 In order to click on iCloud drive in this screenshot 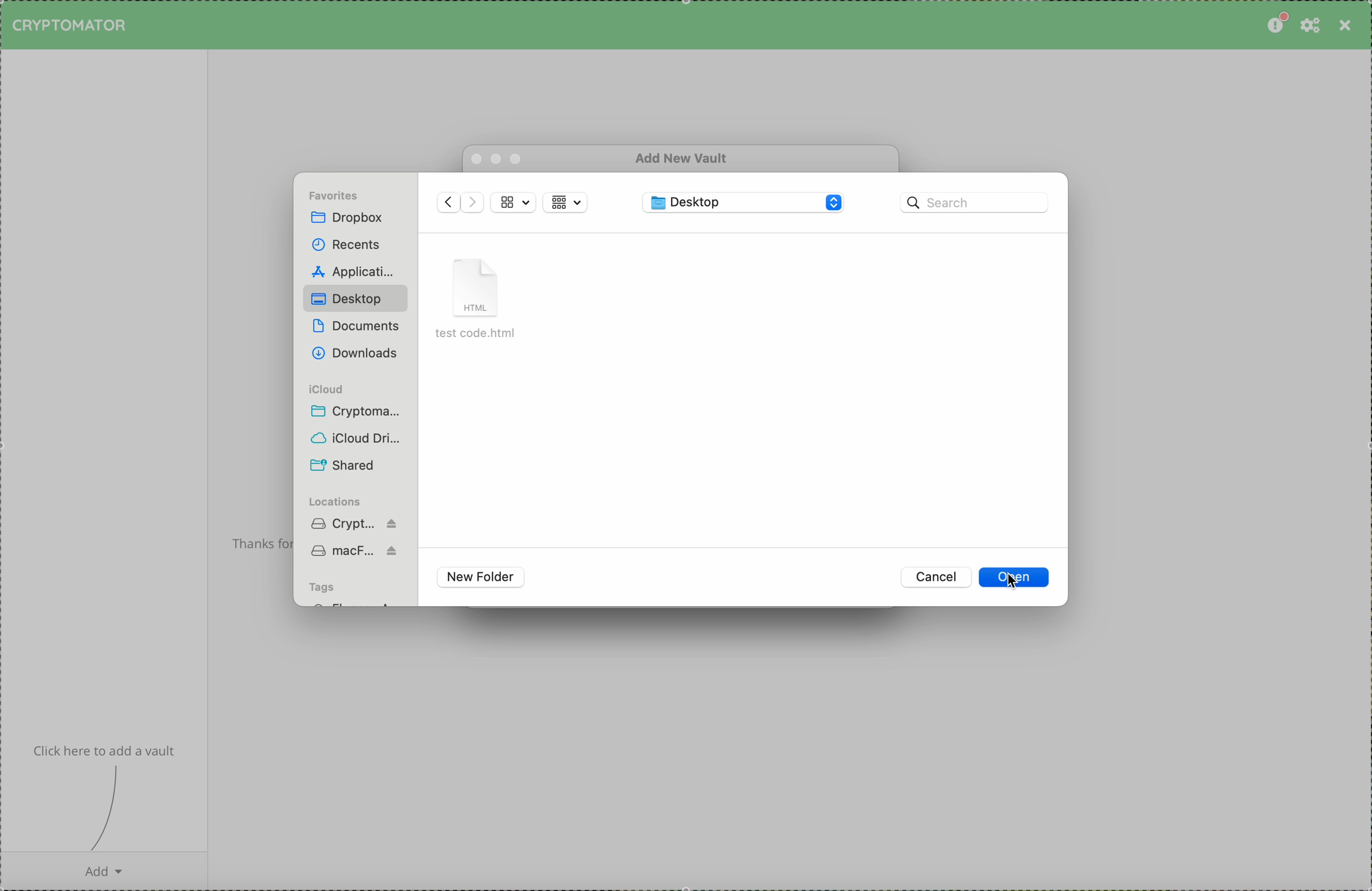, I will do `click(357, 438)`.